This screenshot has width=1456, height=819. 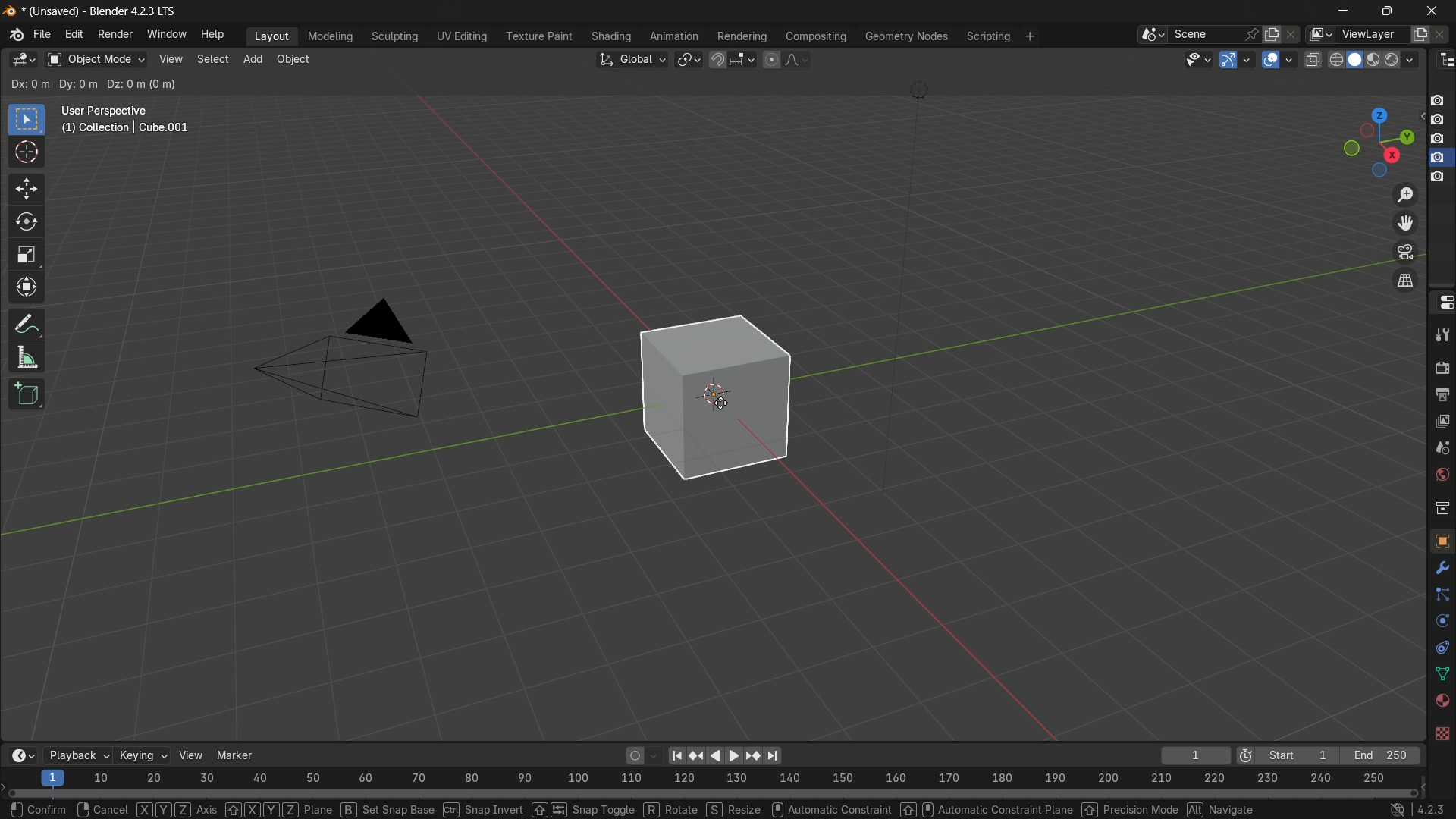 What do you see at coordinates (74, 35) in the screenshot?
I see `edit menu` at bounding box center [74, 35].